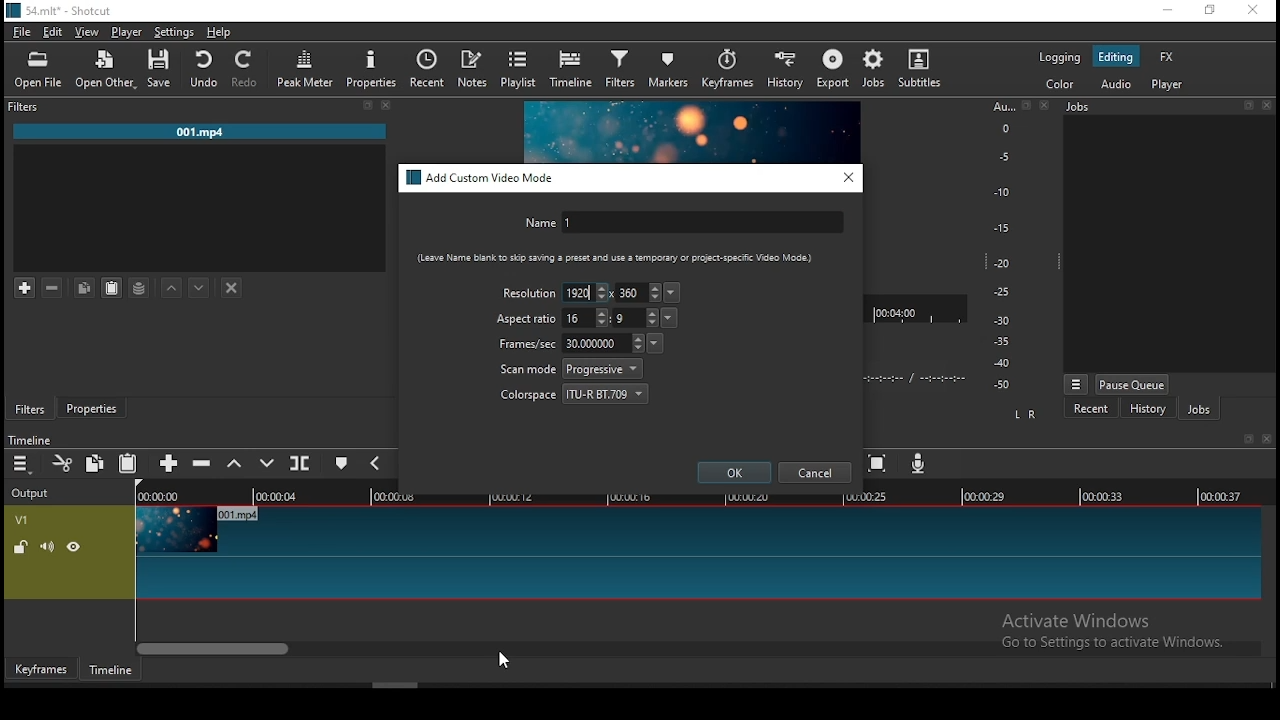 This screenshot has width=1280, height=720. I want to click on restore, so click(1026, 106).